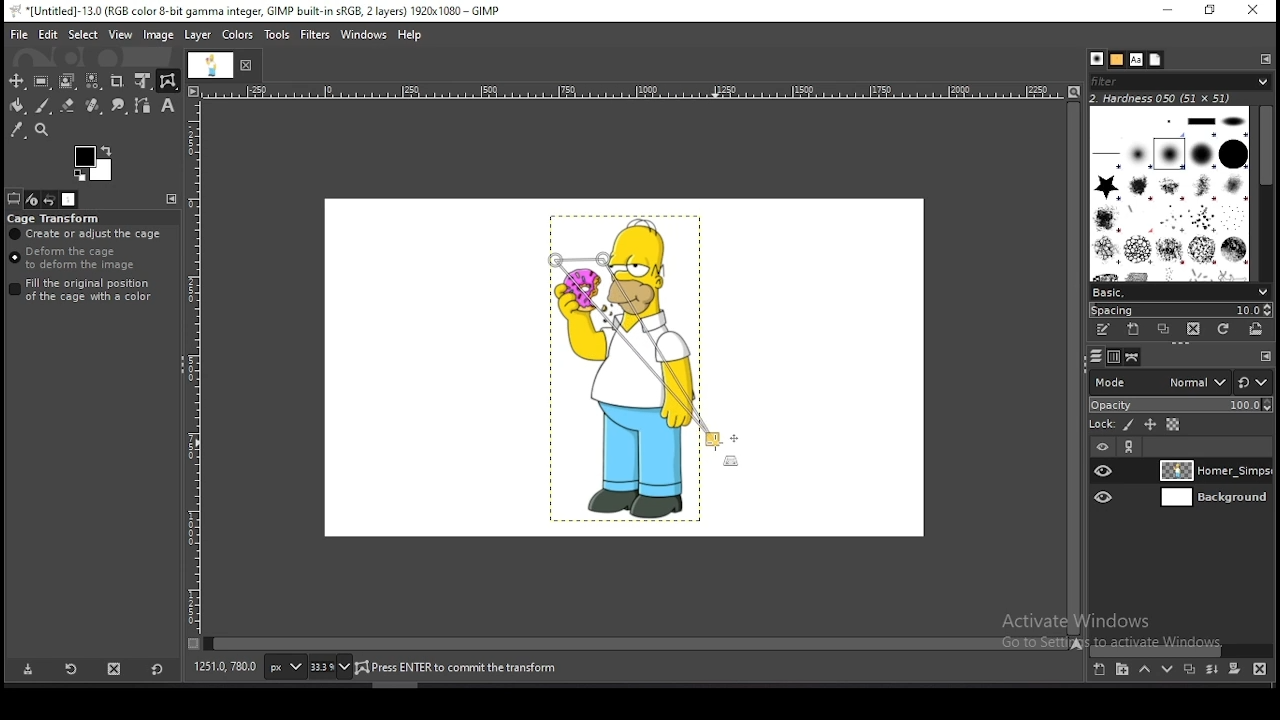 The image size is (1280, 720). I want to click on delete brush, so click(1195, 330).